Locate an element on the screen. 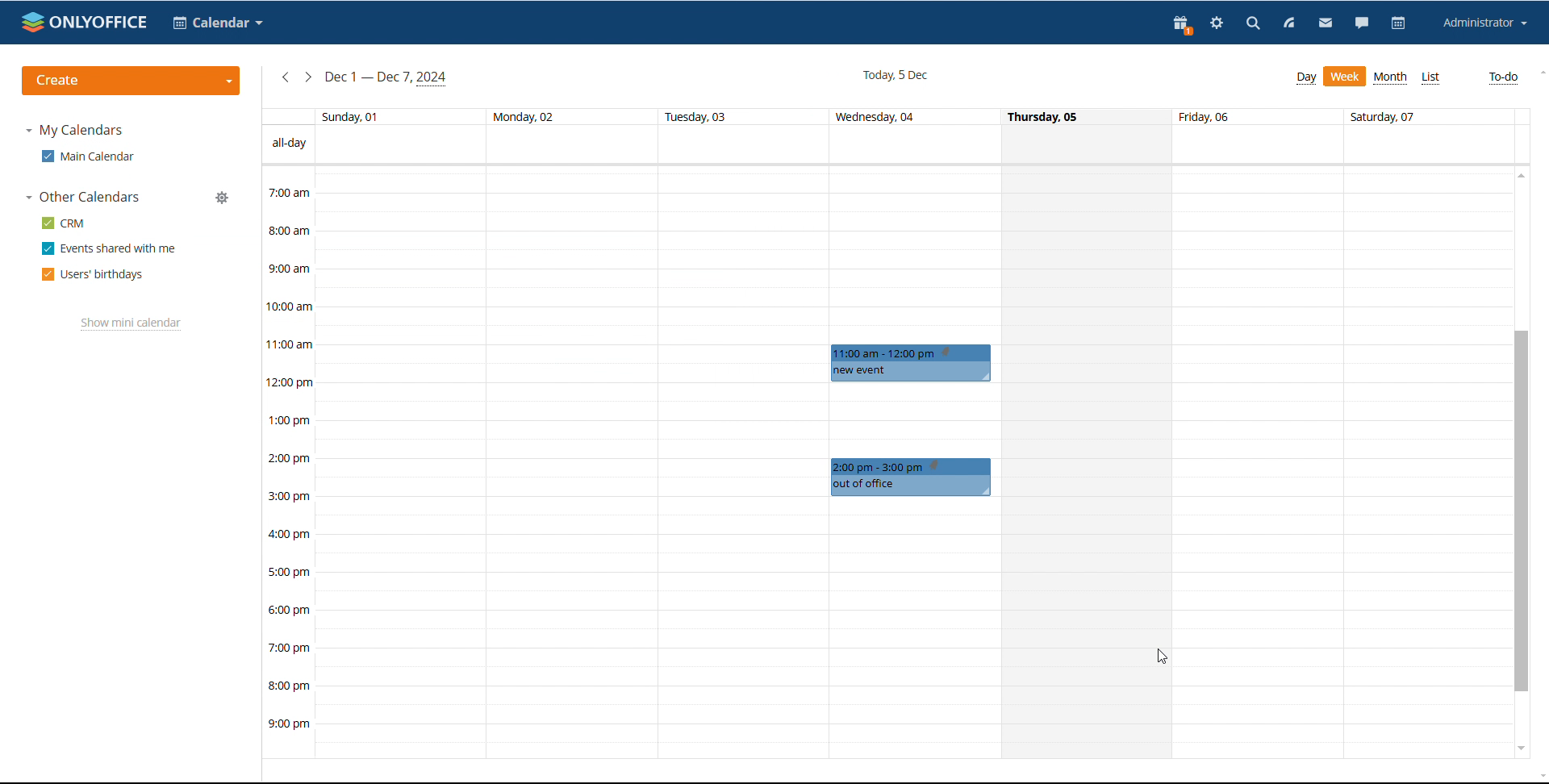 This screenshot has width=1549, height=784. next week is located at coordinates (309, 78).